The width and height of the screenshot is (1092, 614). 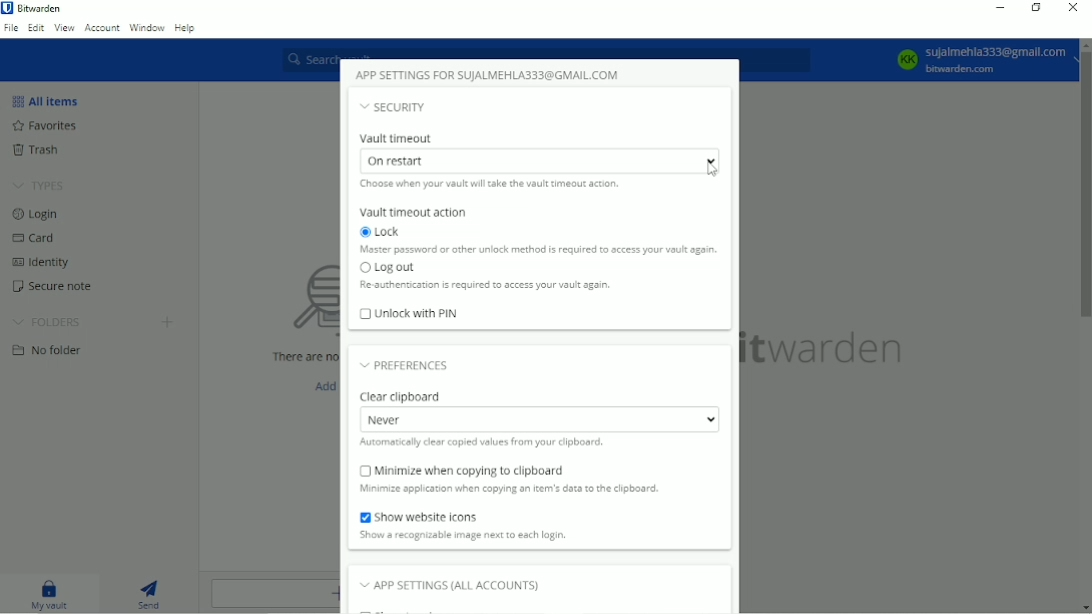 What do you see at coordinates (1085, 186) in the screenshot?
I see `Vertical scrollbar` at bounding box center [1085, 186].